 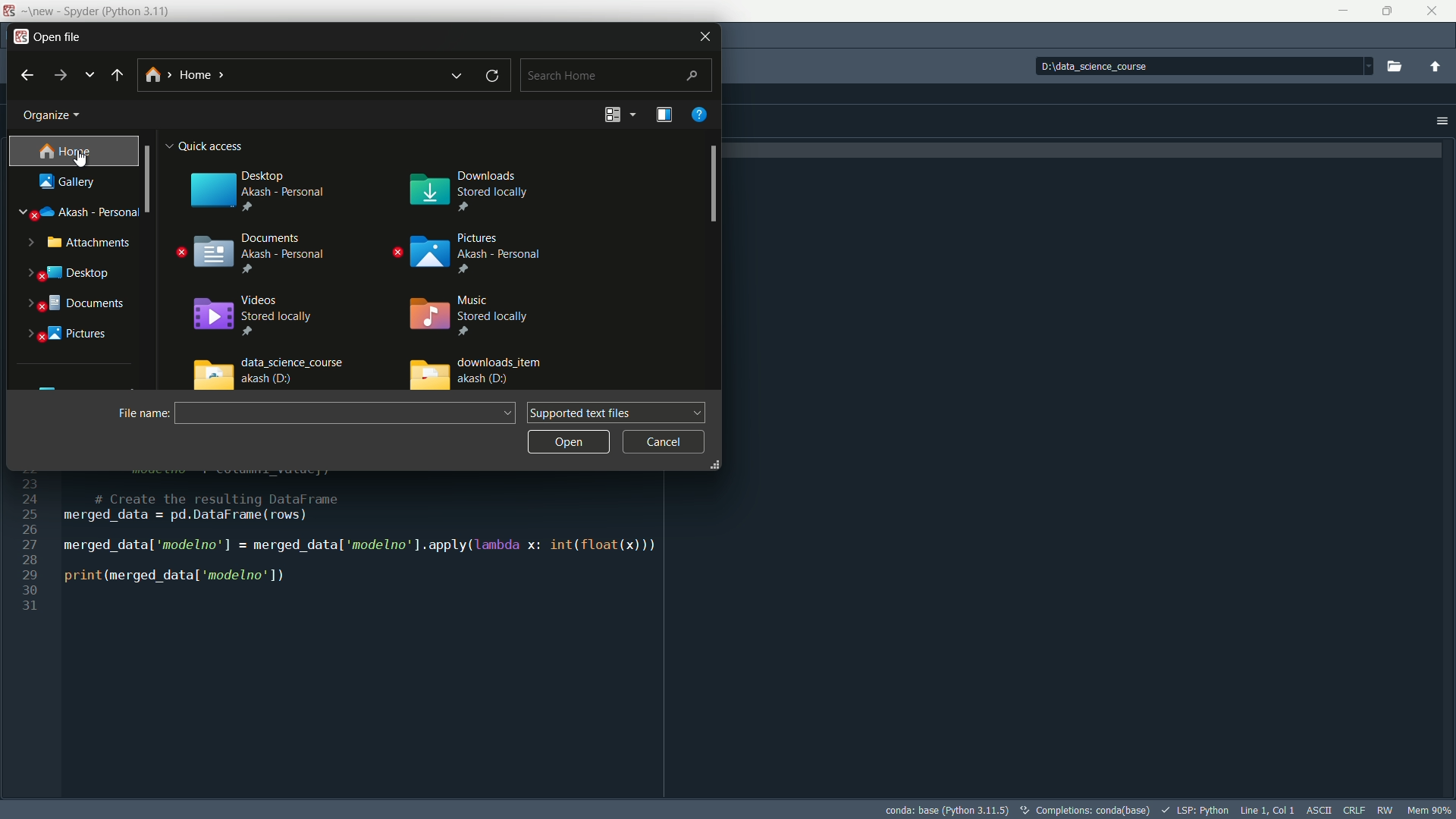 What do you see at coordinates (58, 74) in the screenshot?
I see `forward` at bounding box center [58, 74].